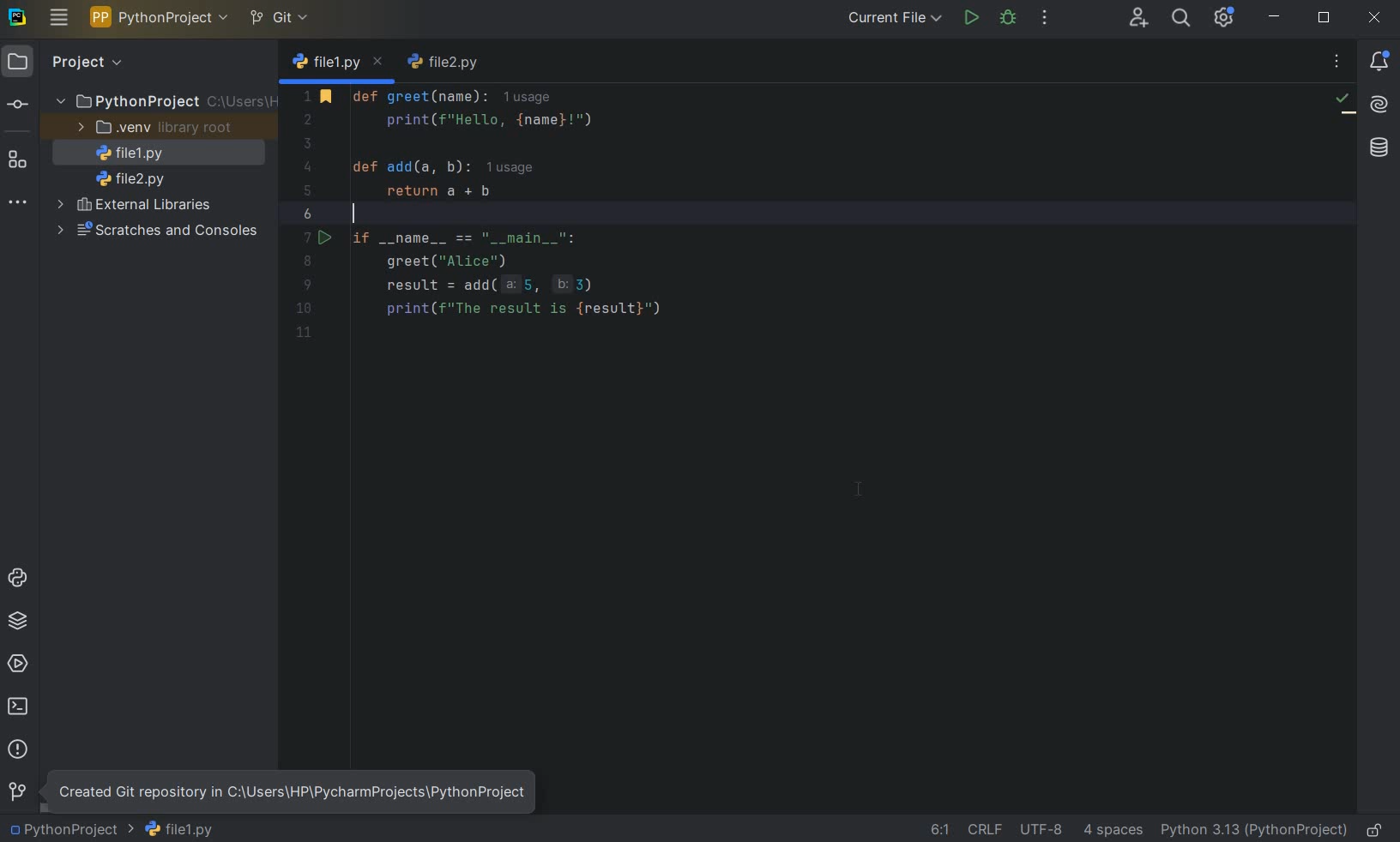 The image size is (1400, 842). Describe the element at coordinates (542, 208) in the screenshot. I see `code` at that location.